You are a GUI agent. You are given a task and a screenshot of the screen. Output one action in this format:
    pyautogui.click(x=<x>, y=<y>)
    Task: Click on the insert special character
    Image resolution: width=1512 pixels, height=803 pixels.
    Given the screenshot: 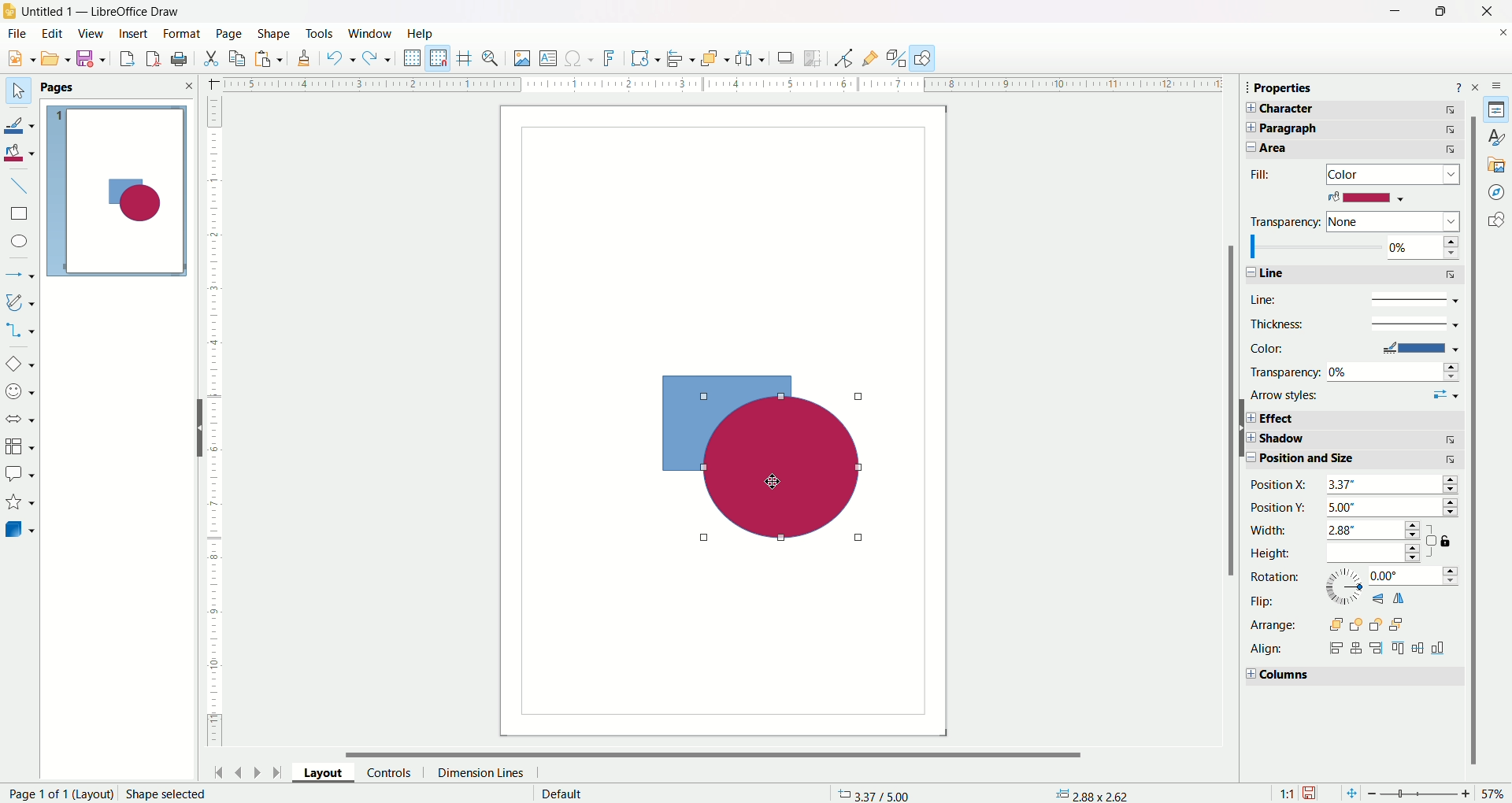 What is the action you would take?
    pyautogui.click(x=580, y=59)
    